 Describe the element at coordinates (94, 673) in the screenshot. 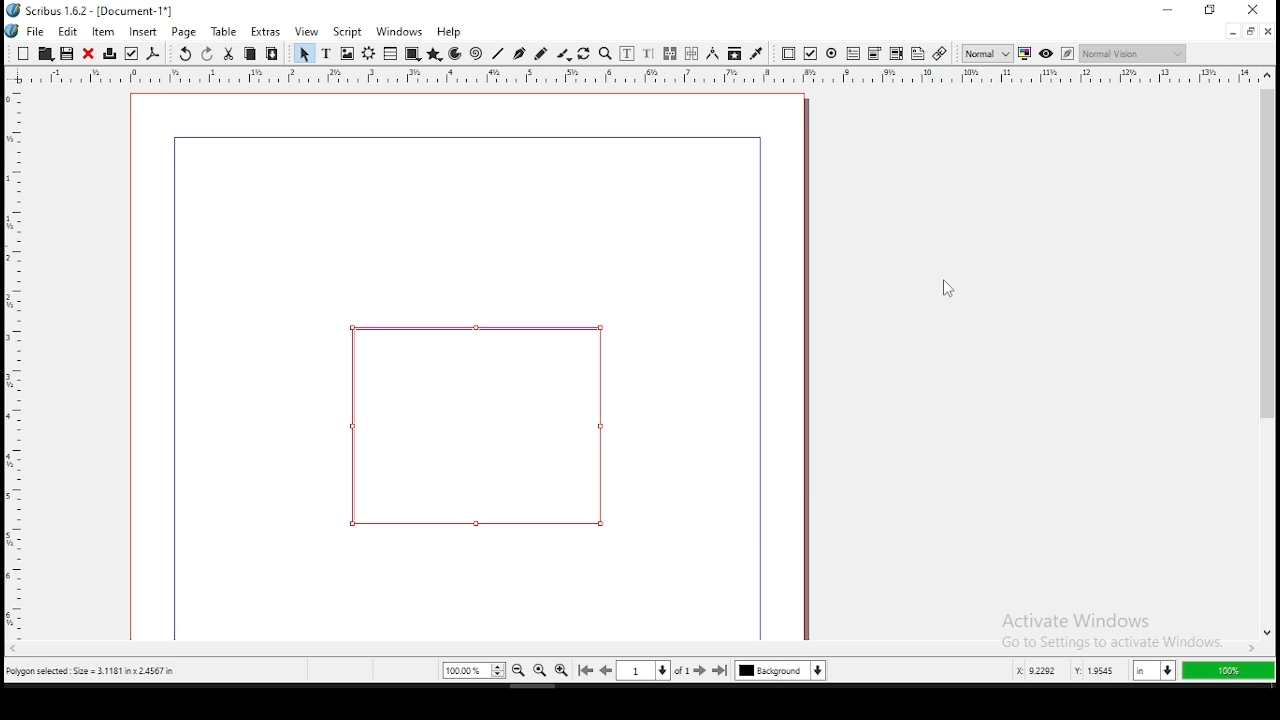

I see `polygon selected size= 3.1181 inch x 2.4567 in` at that location.